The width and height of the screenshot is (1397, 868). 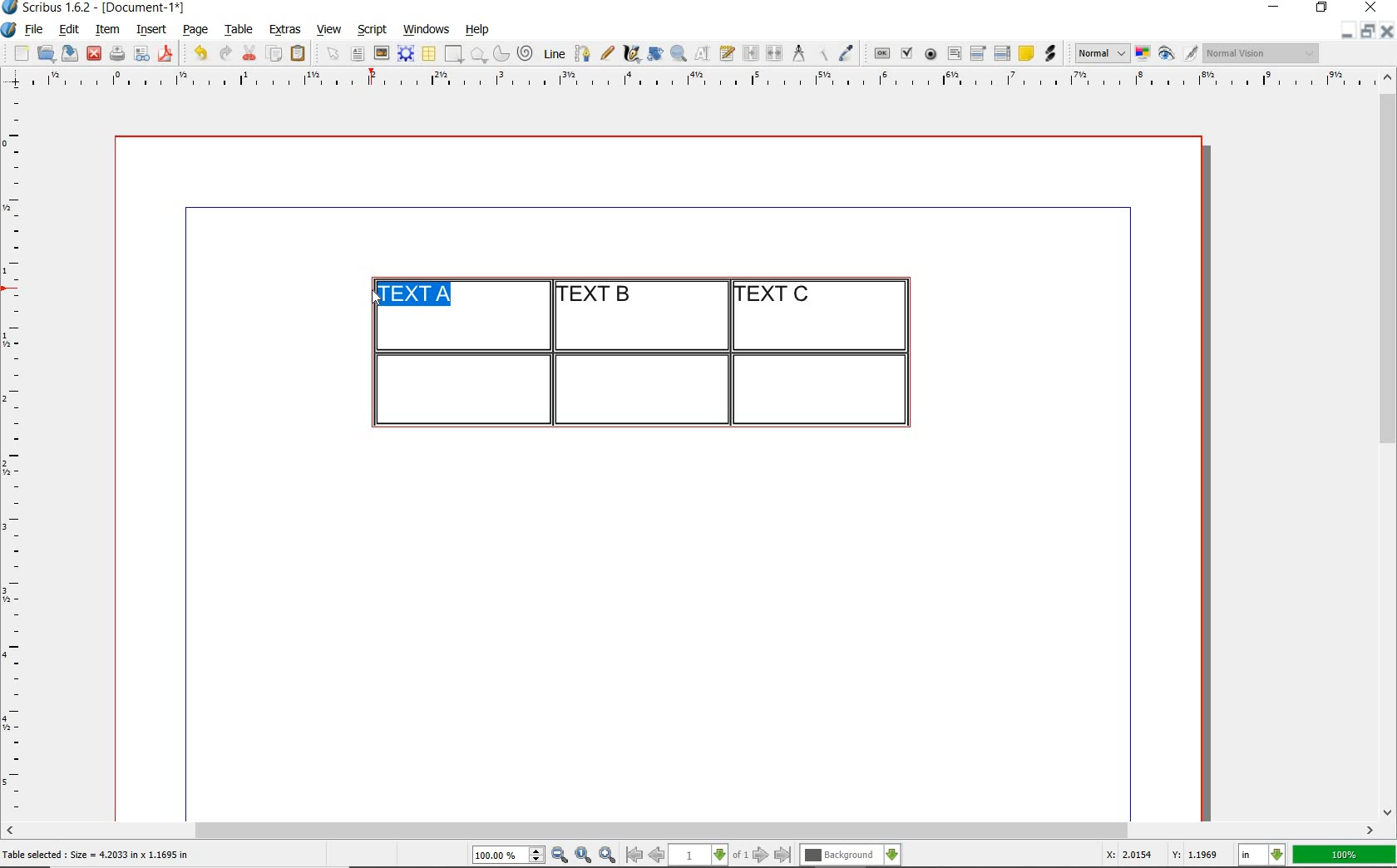 I want to click on line, so click(x=552, y=53).